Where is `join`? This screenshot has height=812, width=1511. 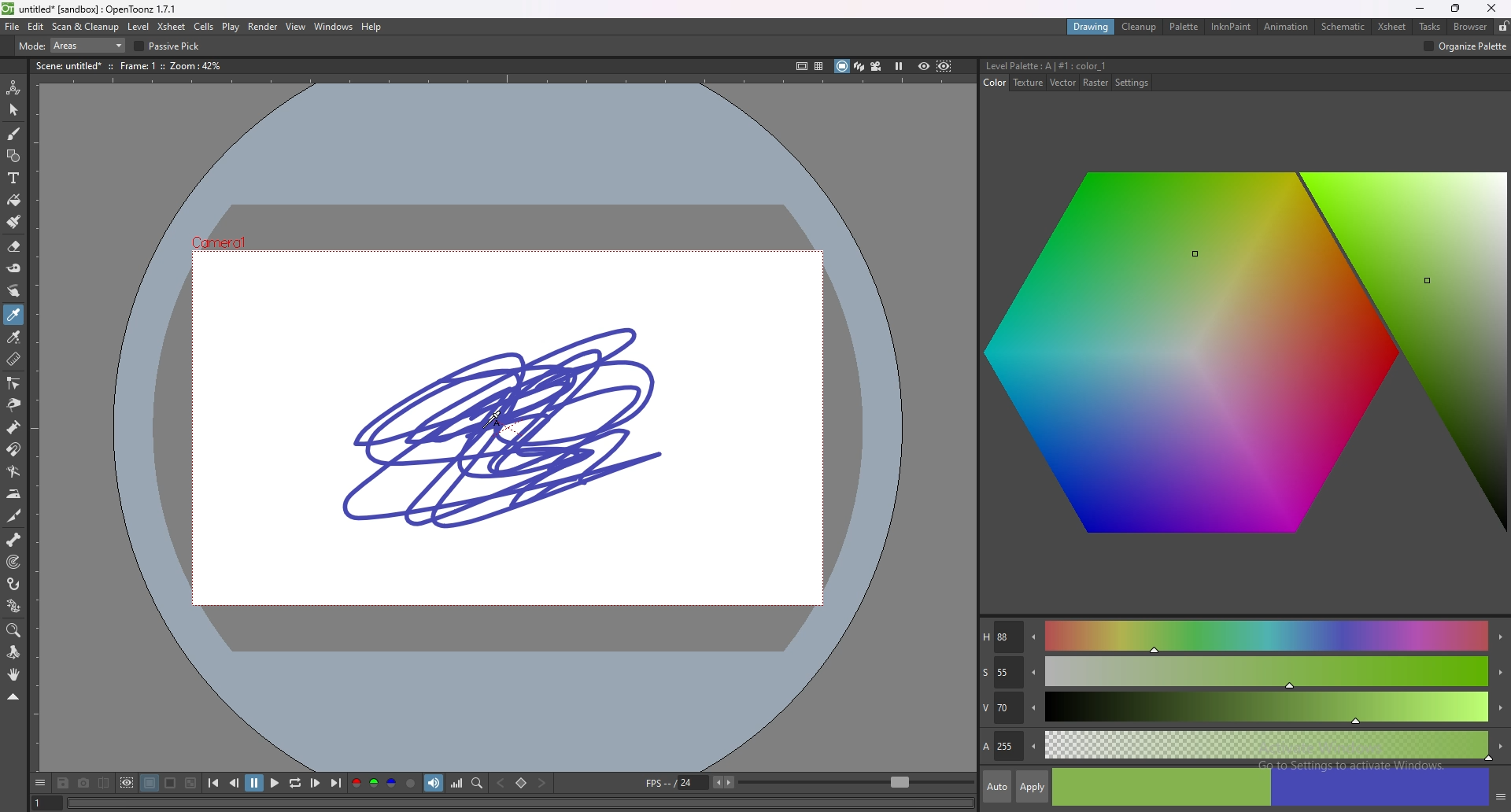
join is located at coordinates (1232, 45).